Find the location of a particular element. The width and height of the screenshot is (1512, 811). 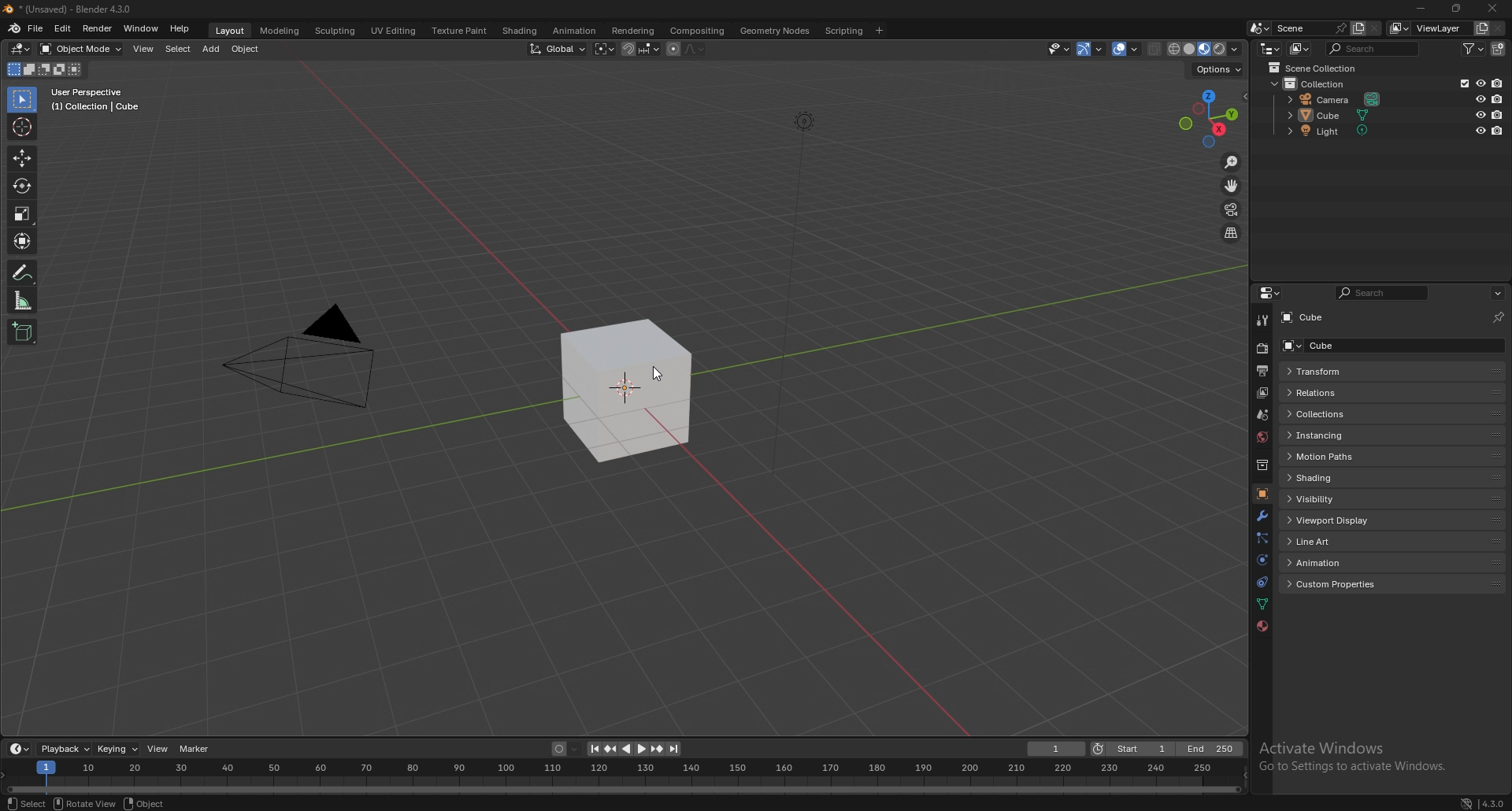

transform is located at coordinates (23, 242).